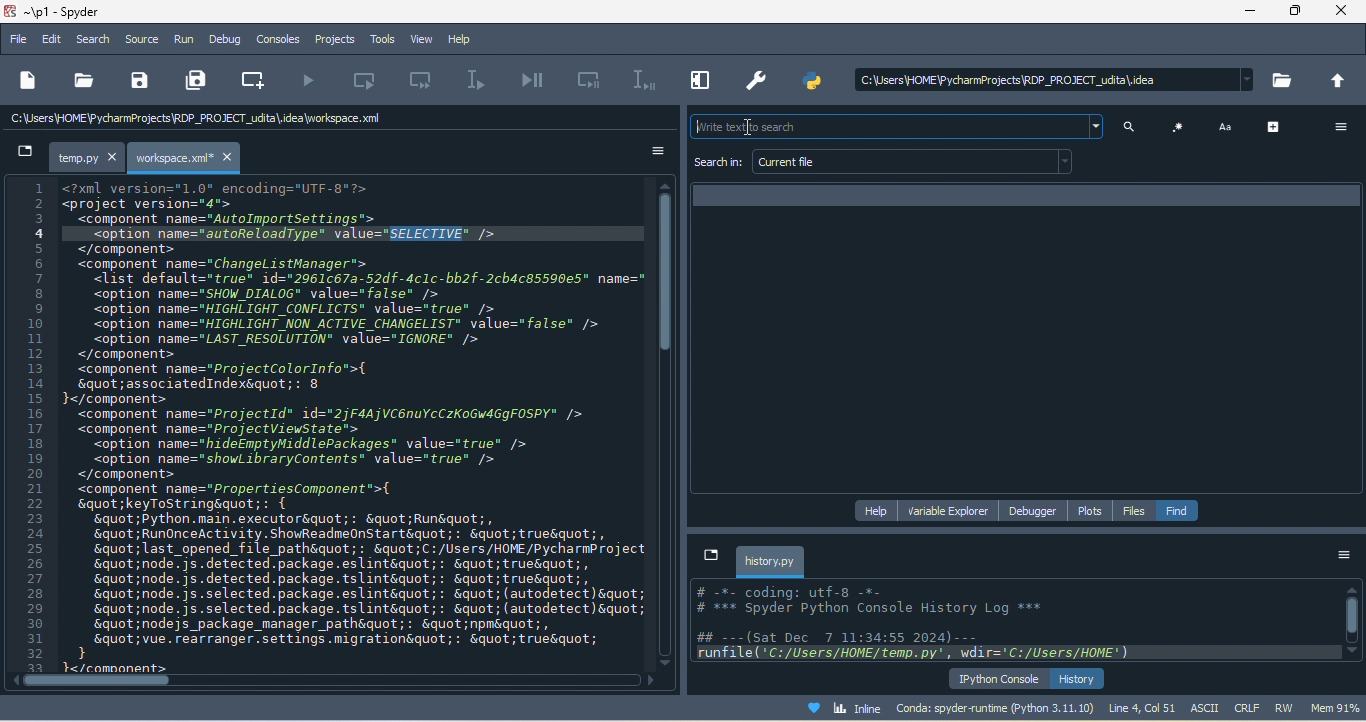 This screenshot has height=722, width=1366. I want to click on run current cell, so click(374, 80).